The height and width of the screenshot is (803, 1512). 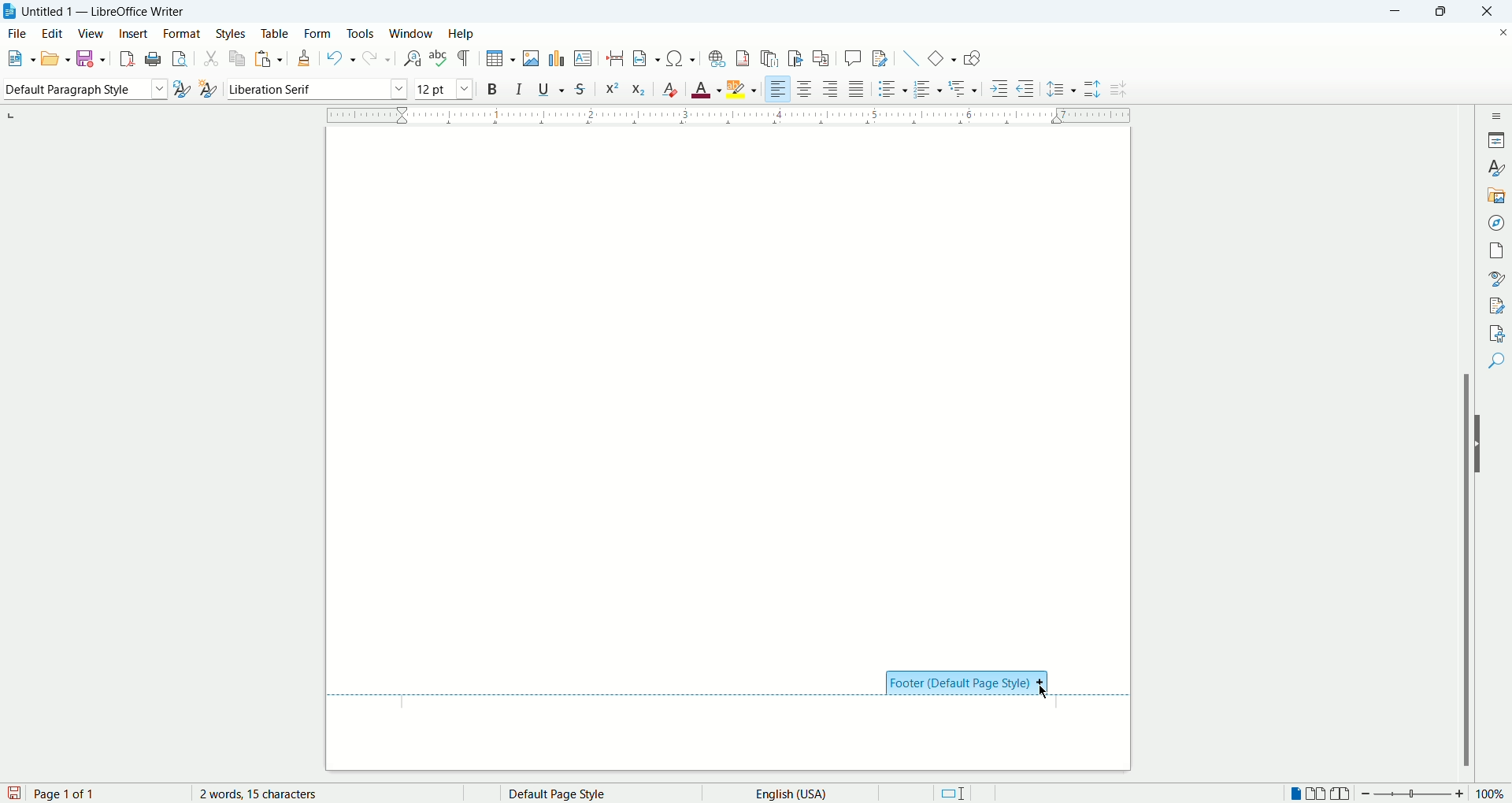 I want to click on sidebar settings, so click(x=1499, y=113).